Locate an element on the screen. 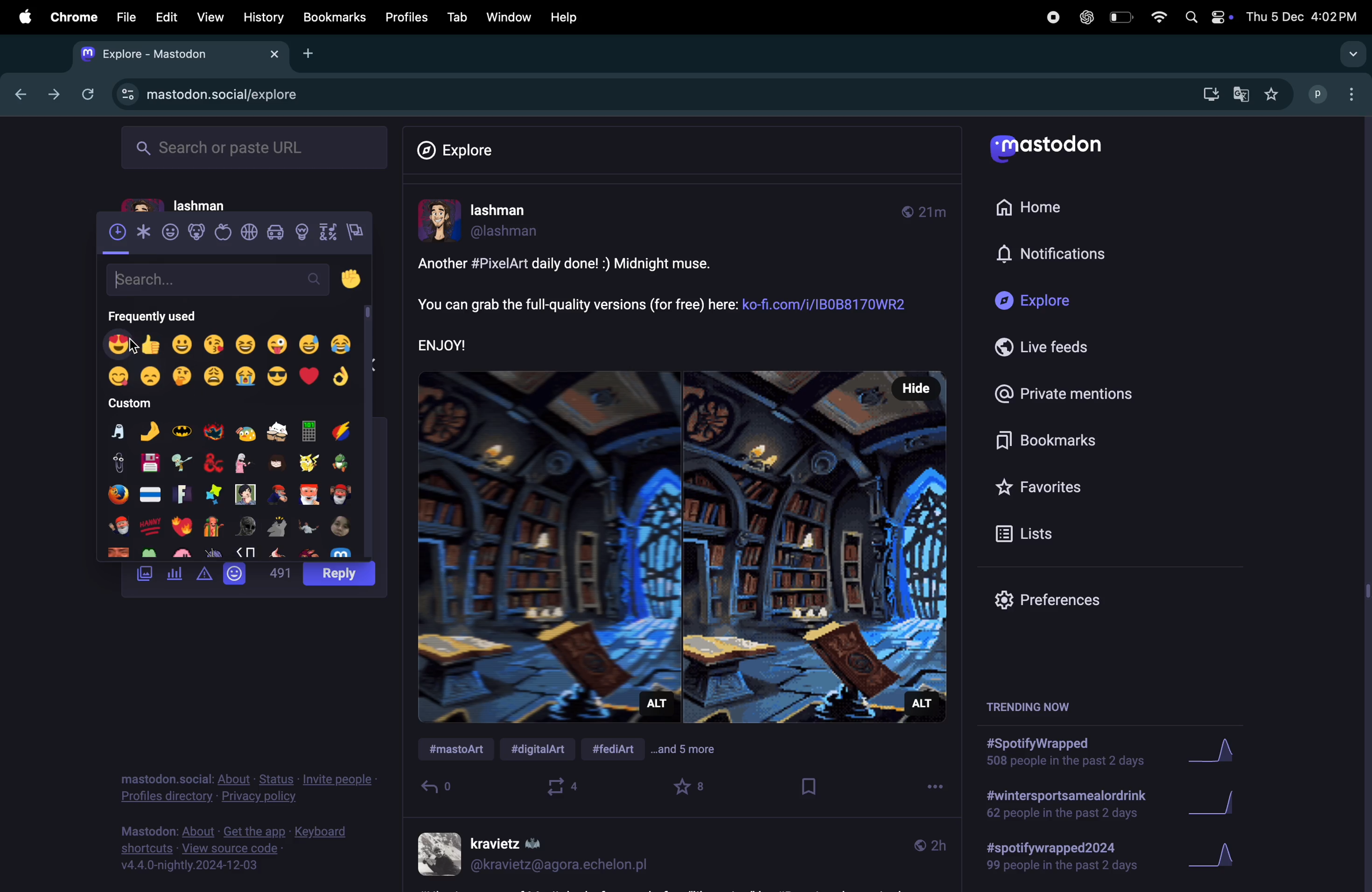 Image resolution: width=1372 pixels, height=892 pixels. frequently used is located at coordinates (160, 317).